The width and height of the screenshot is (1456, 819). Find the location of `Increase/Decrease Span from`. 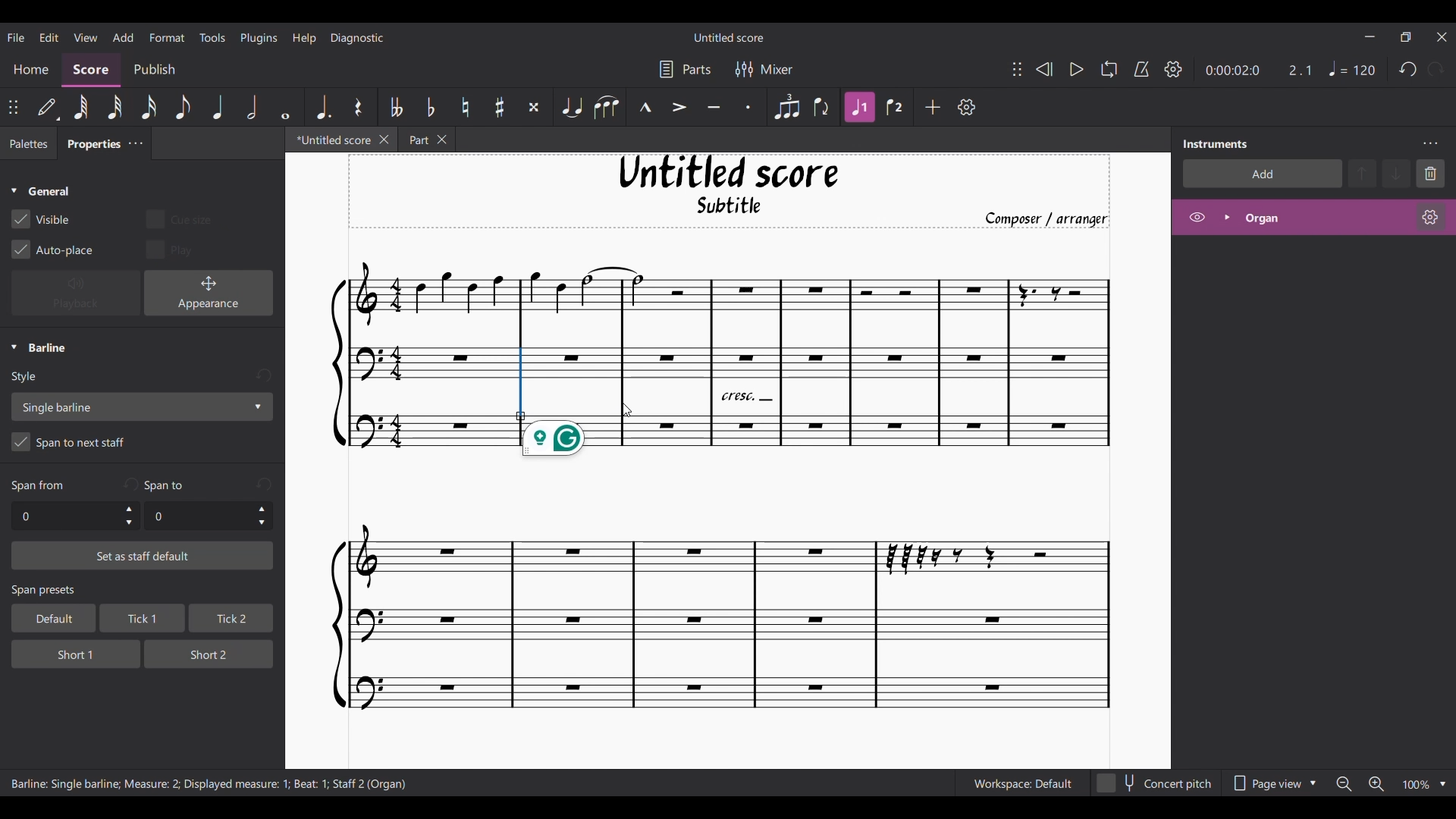

Increase/Decrease Span from is located at coordinates (130, 516).